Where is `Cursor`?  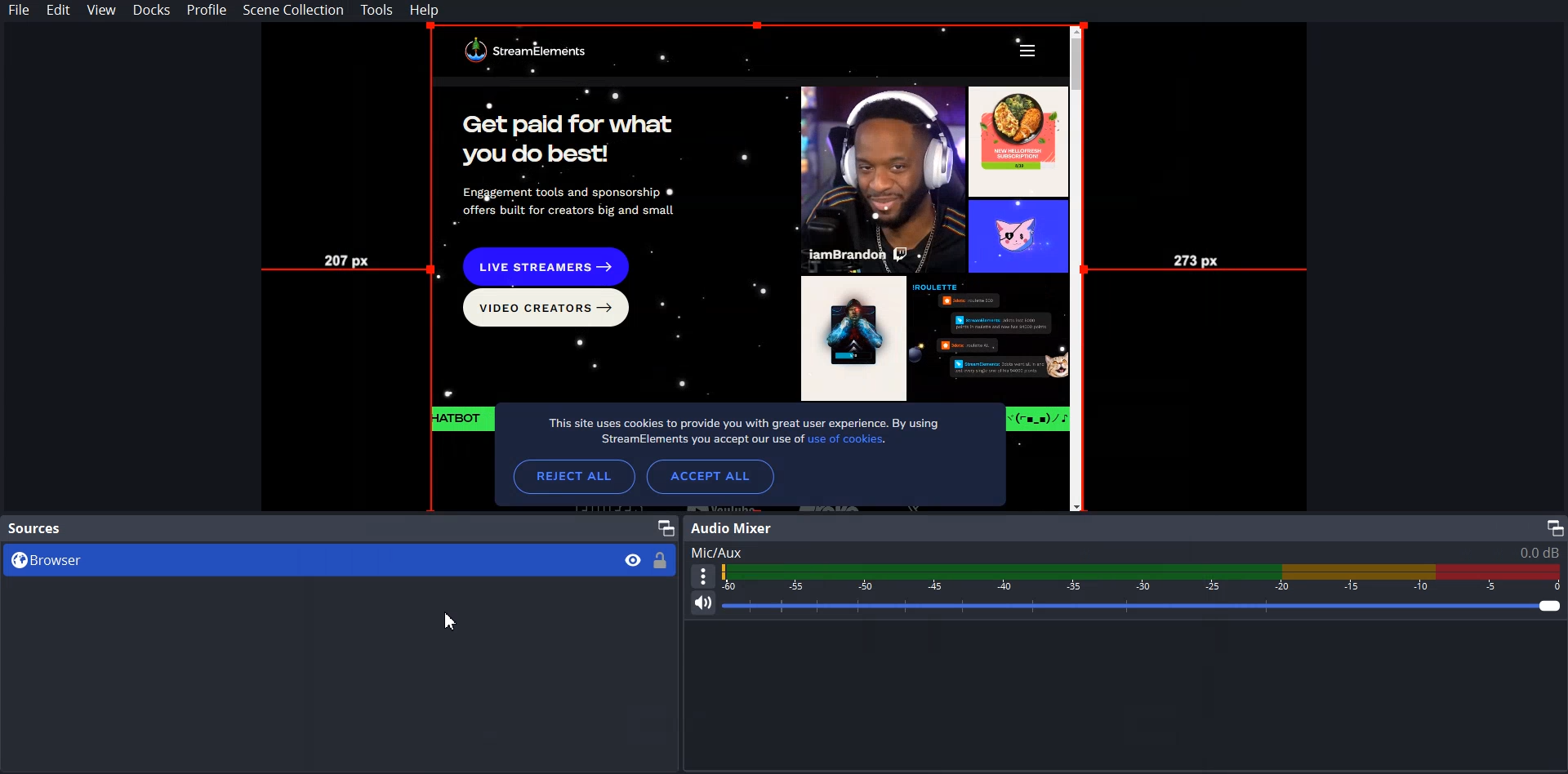
Cursor is located at coordinates (451, 622).